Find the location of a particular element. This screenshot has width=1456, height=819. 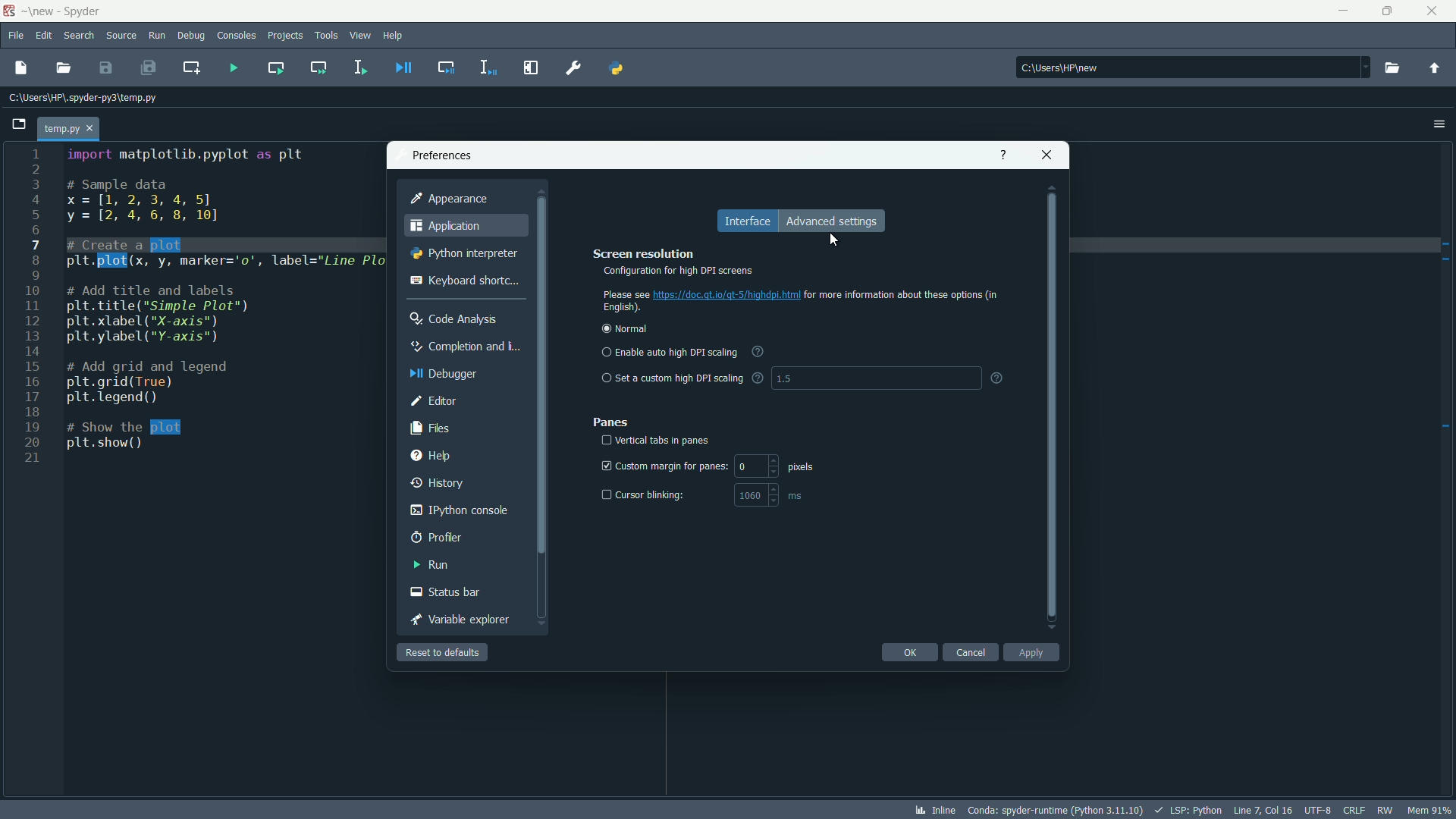

inline is located at coordinates (934, 809).